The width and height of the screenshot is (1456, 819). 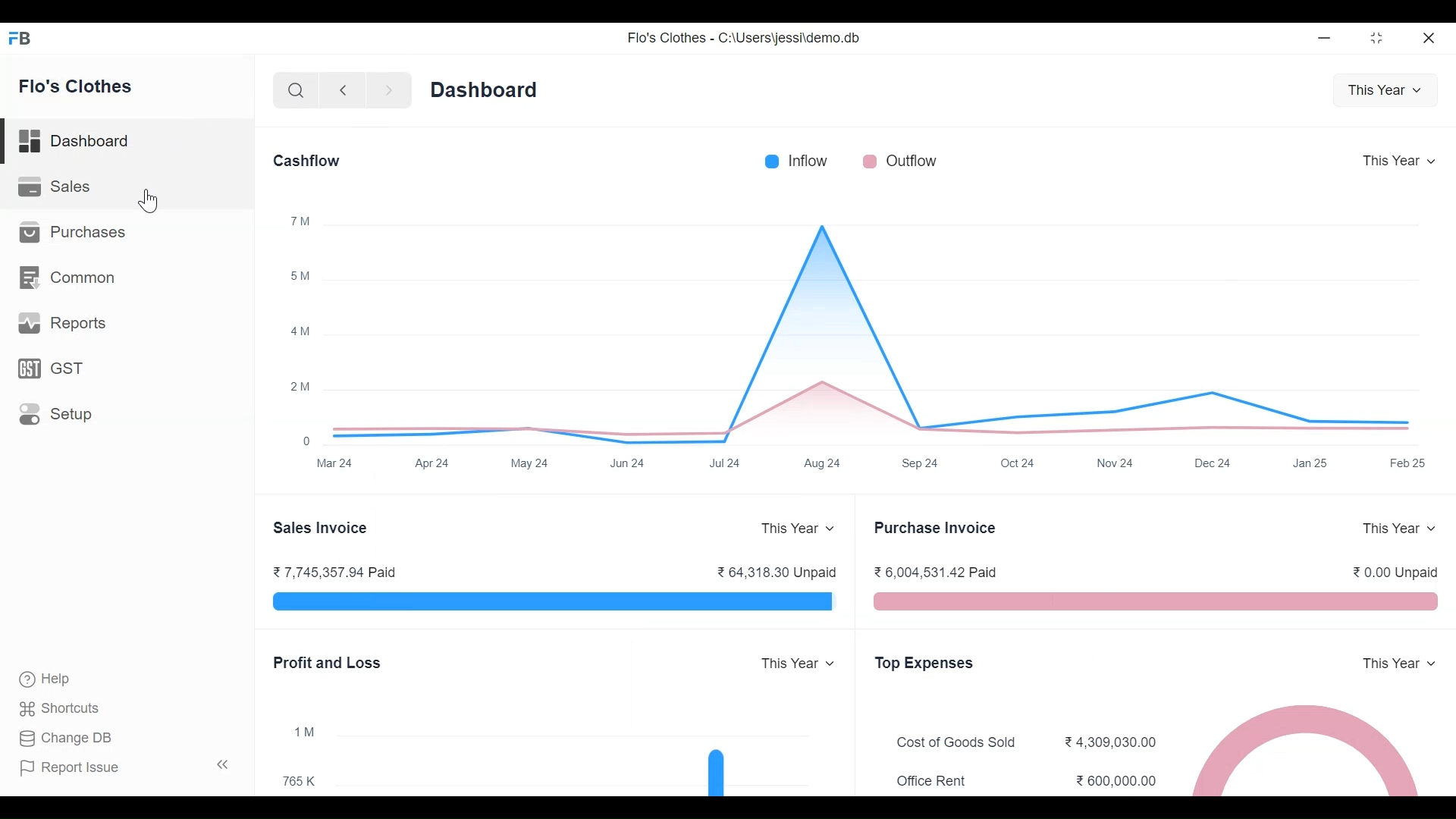 What do you see at coordinates (773, 160) in the screenshot?
I see `Inflow Color bar` at bounding box center [773, 160].